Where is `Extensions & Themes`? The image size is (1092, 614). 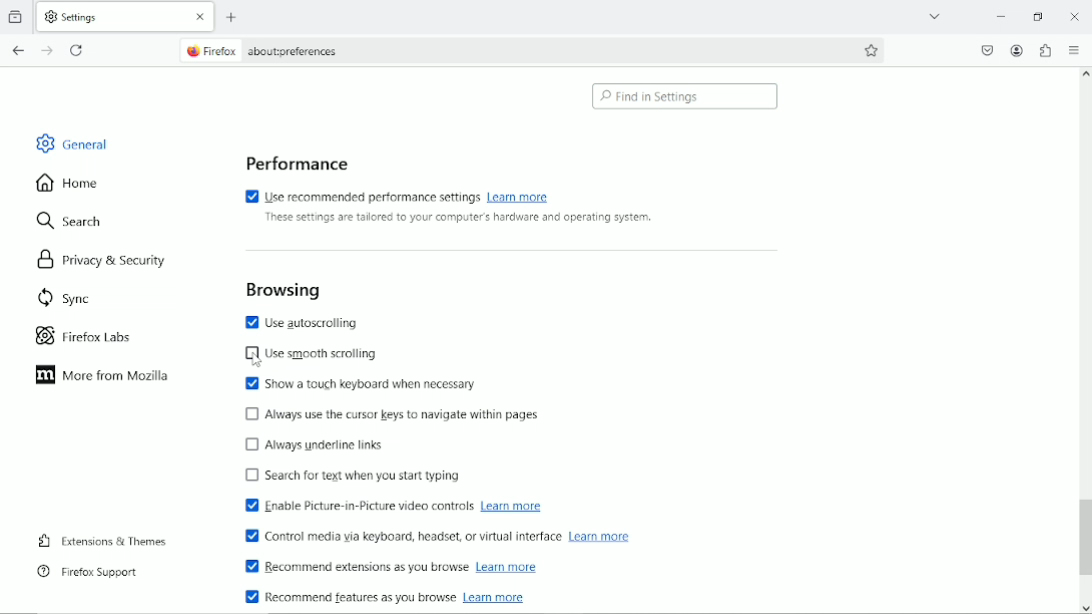 Extensions & Themes is located at coordinates (100, 539).